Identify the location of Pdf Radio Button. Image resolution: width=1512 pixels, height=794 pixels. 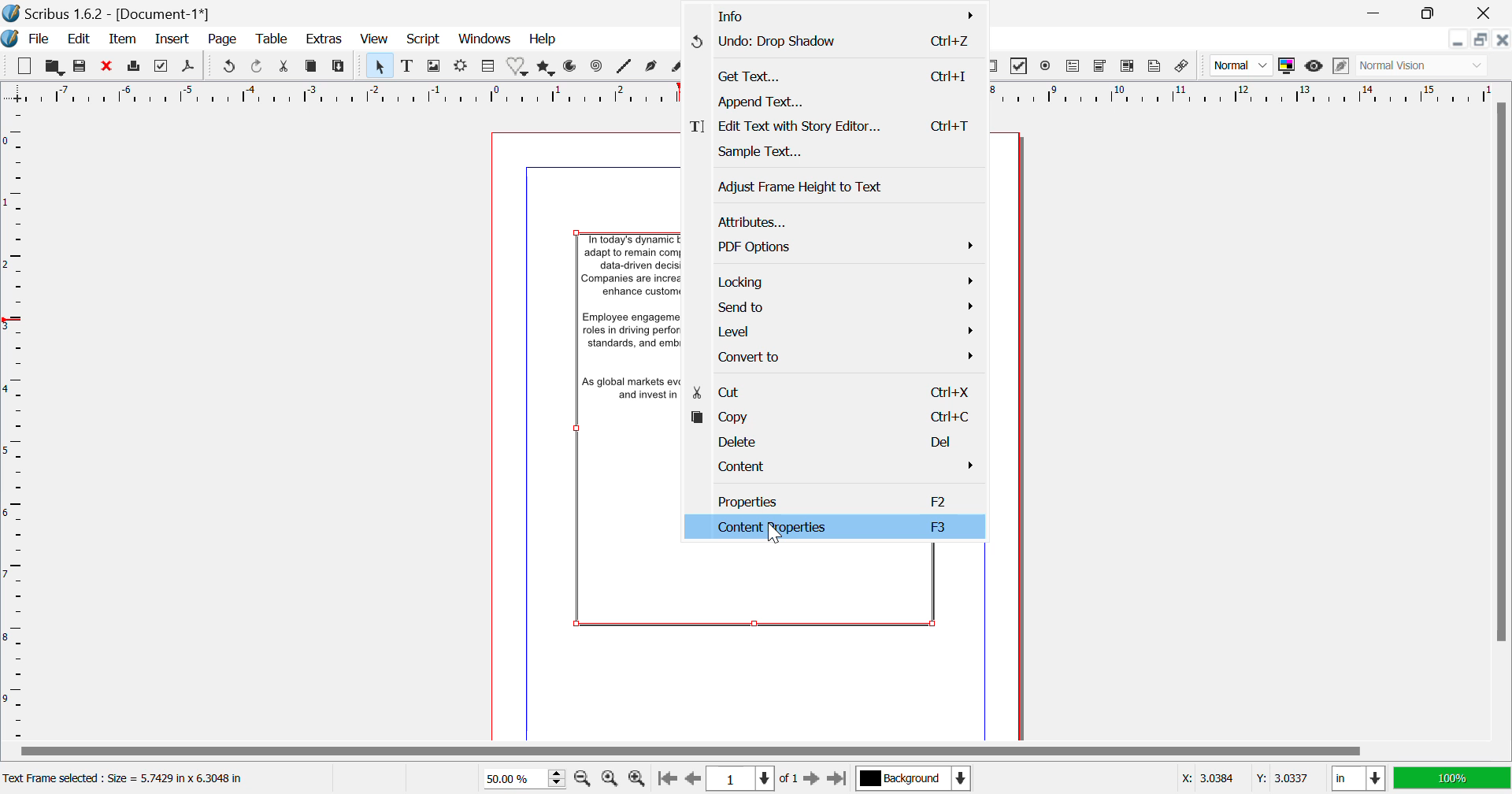
(1045, 66).